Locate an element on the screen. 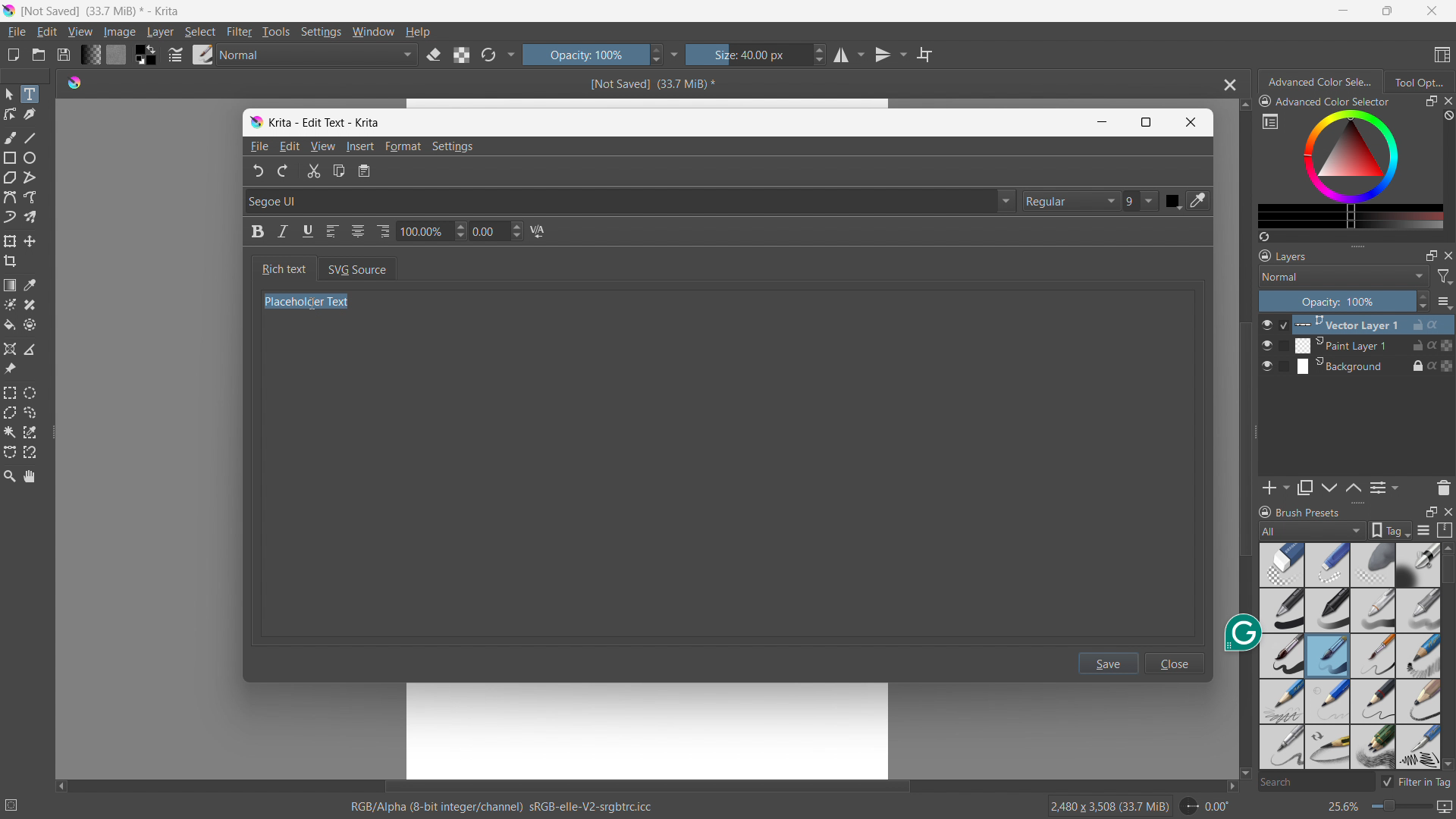 The width and height of the screenshot is (1456, 819). multibrush tool is located at coordinates (30, 217).